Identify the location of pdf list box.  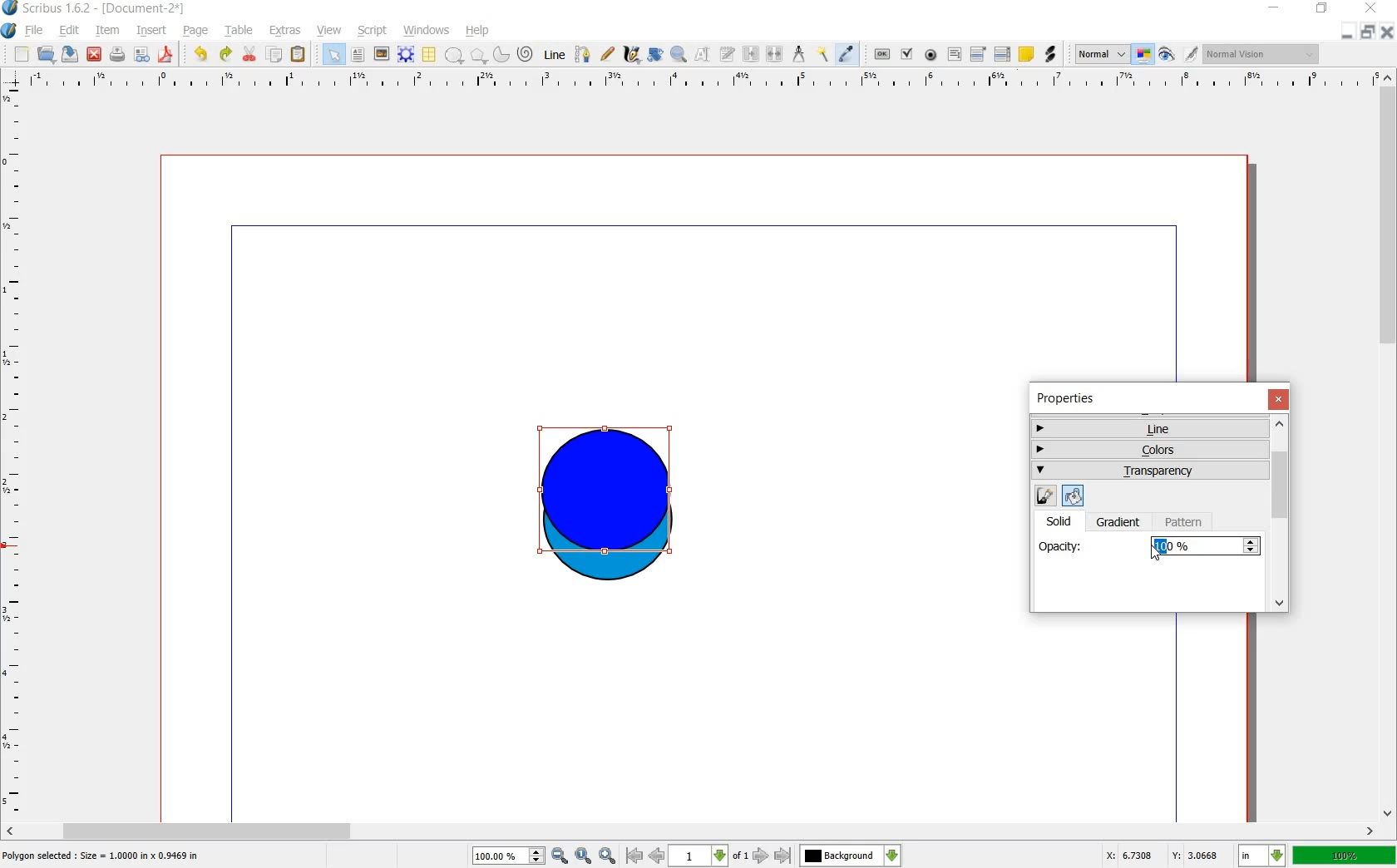
(1002, 52).